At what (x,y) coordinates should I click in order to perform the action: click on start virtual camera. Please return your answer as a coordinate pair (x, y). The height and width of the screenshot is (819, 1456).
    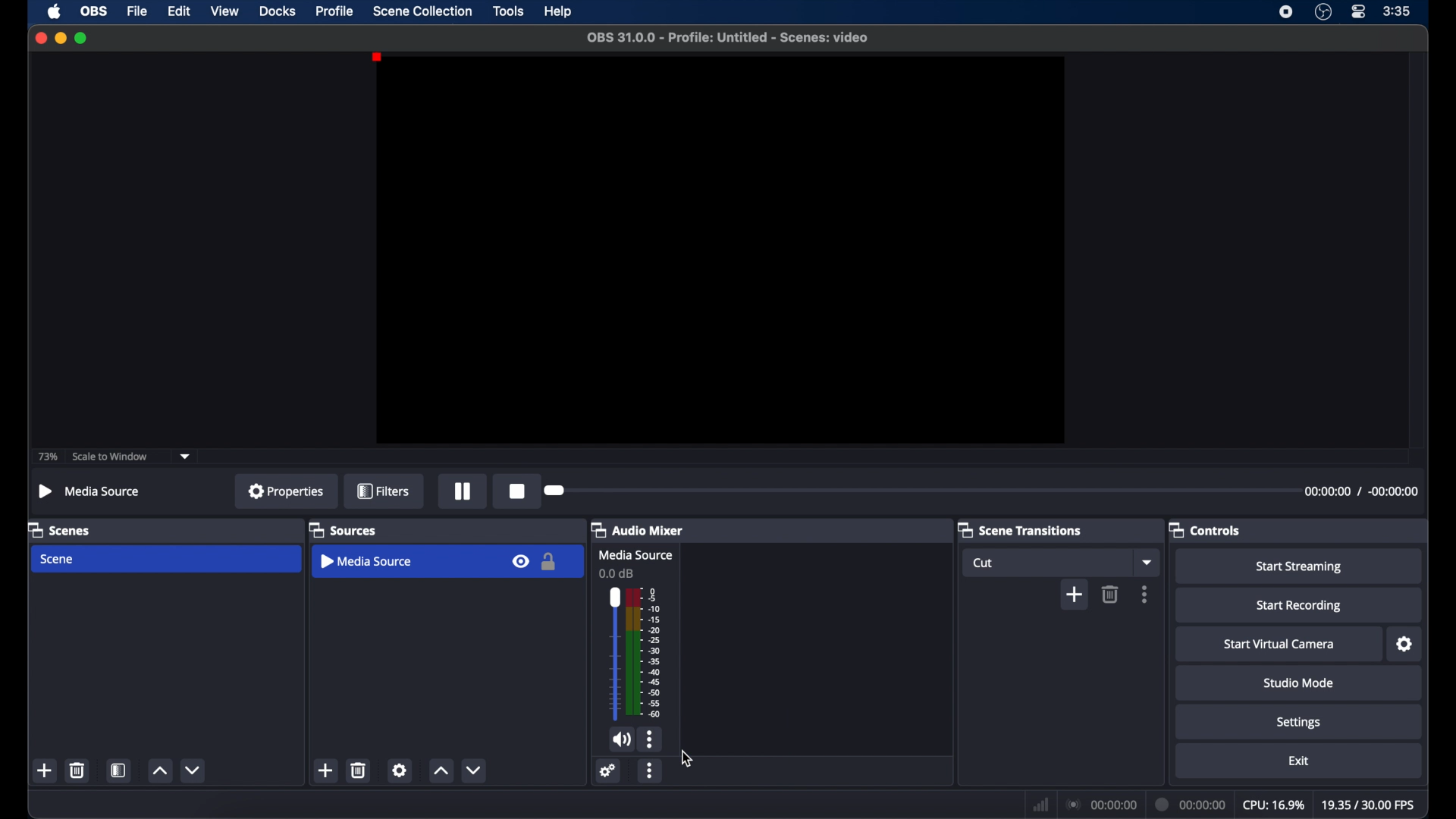
    Looking at the image, I should click on (1280, 644).